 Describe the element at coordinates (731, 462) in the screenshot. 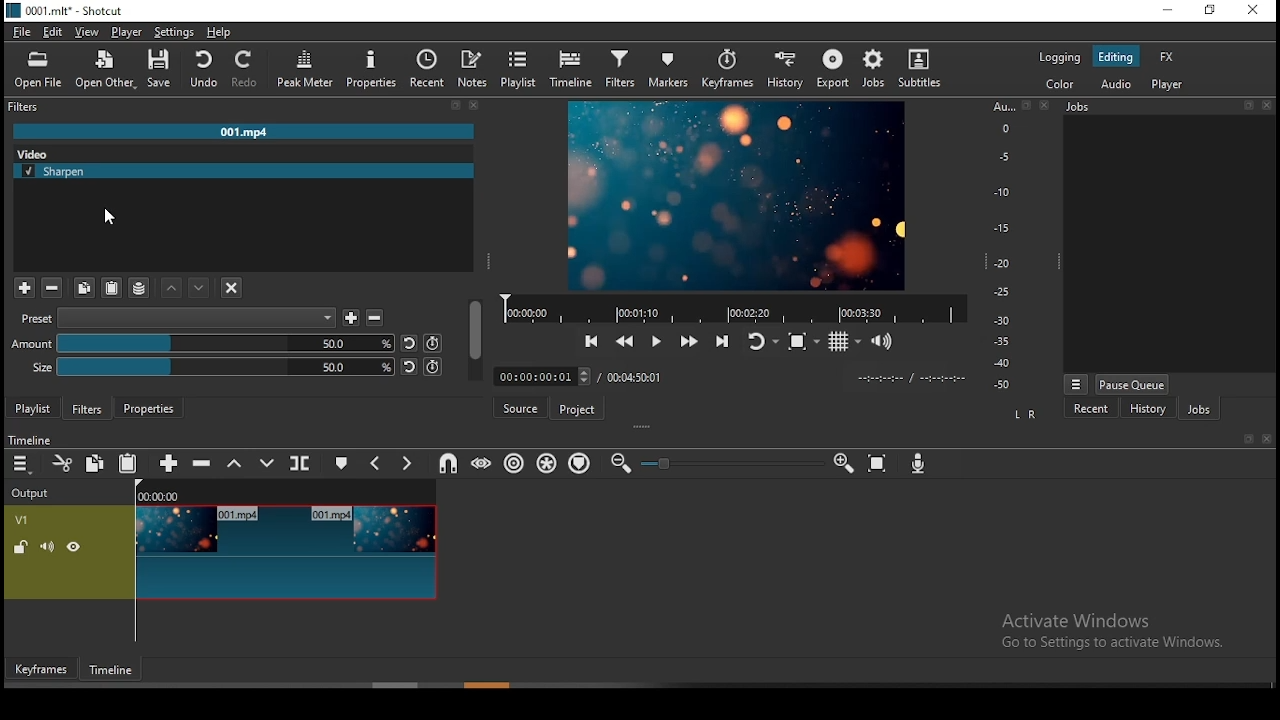

I see `zoom in or zoom out slider` at that location.